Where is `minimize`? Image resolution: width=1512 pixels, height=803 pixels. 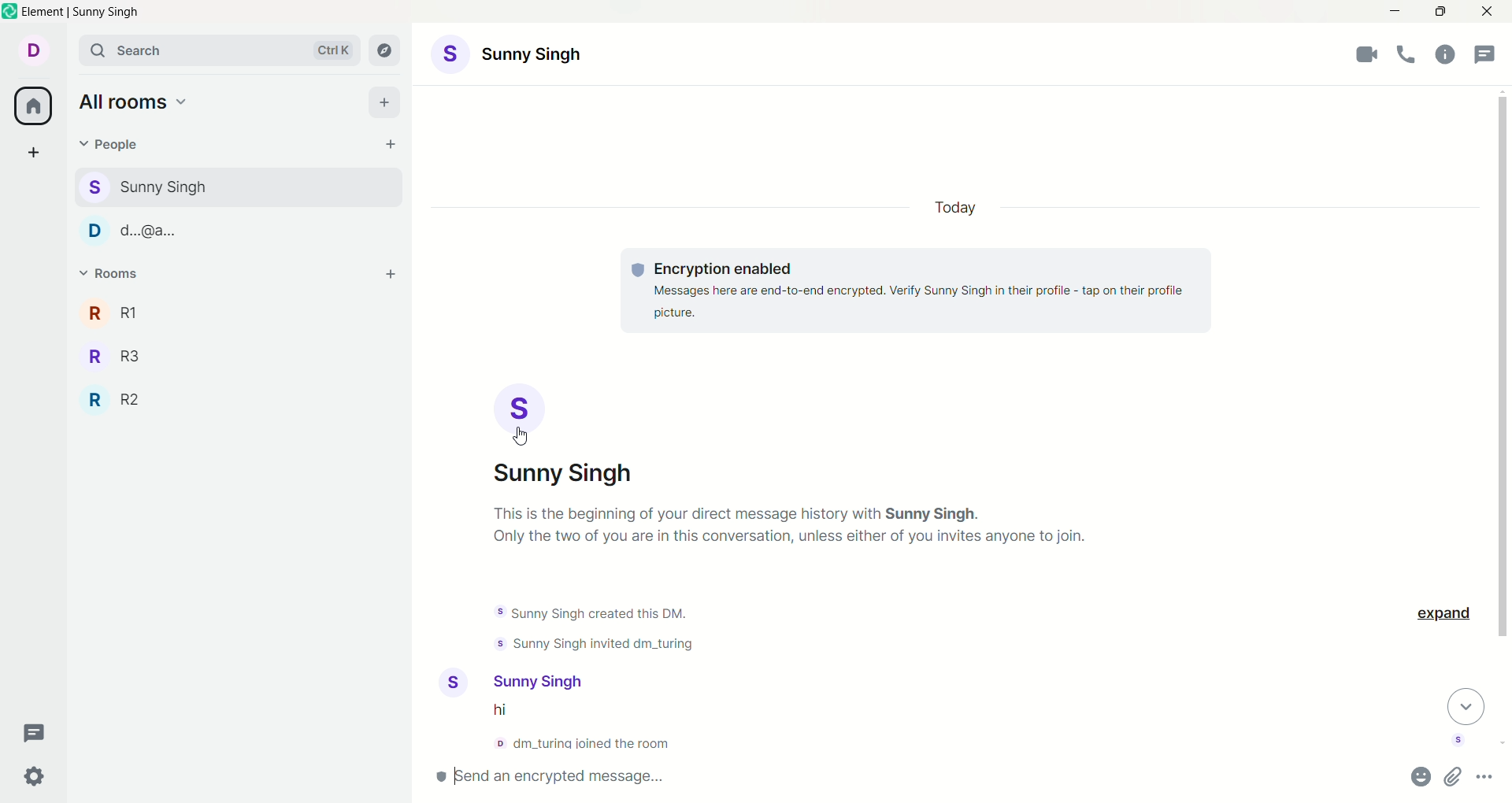
minimize is located at coordinates (1393, 9).